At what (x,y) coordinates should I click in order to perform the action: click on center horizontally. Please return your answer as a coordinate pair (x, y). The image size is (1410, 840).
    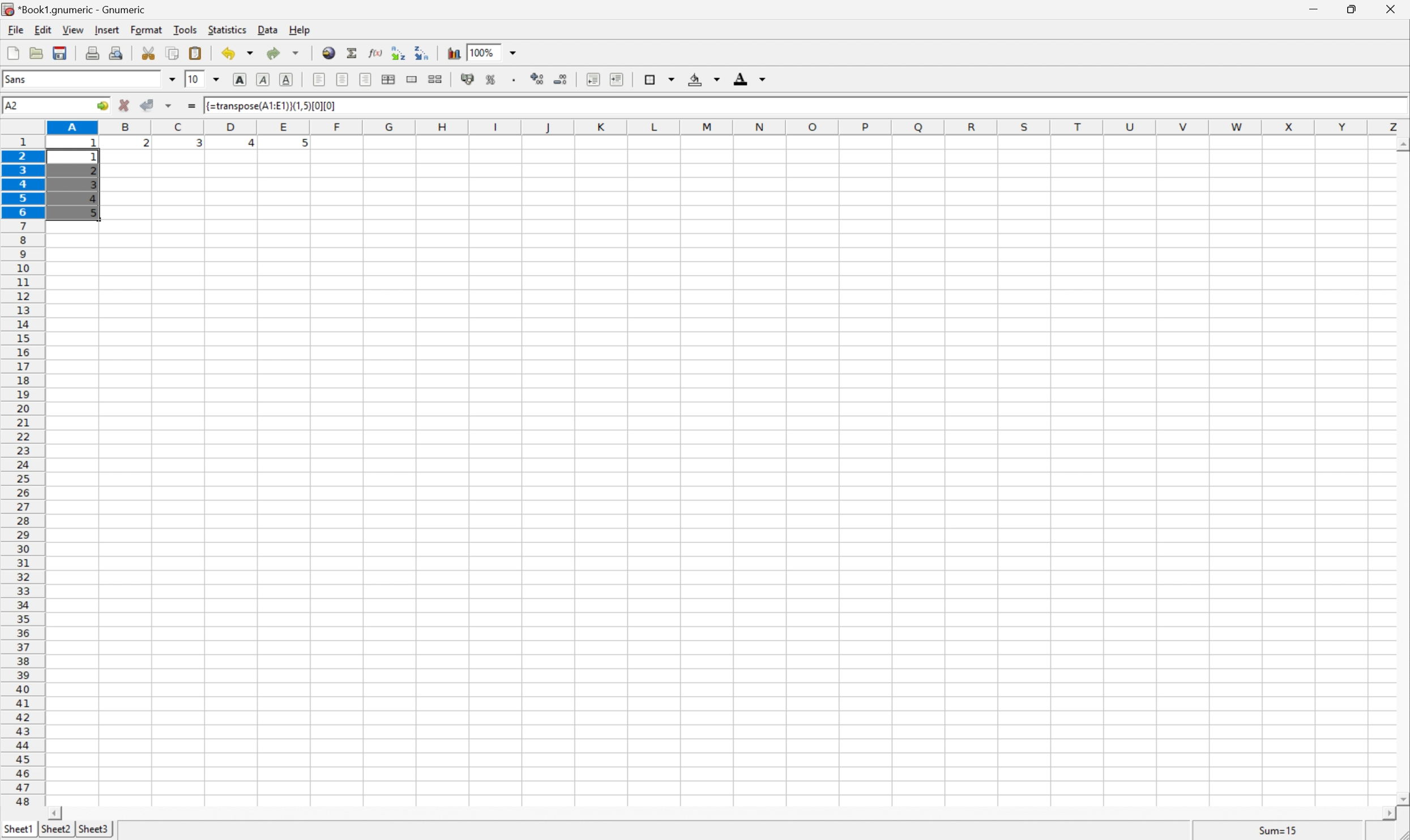
    Looking at the image, I should click on (344, 78).